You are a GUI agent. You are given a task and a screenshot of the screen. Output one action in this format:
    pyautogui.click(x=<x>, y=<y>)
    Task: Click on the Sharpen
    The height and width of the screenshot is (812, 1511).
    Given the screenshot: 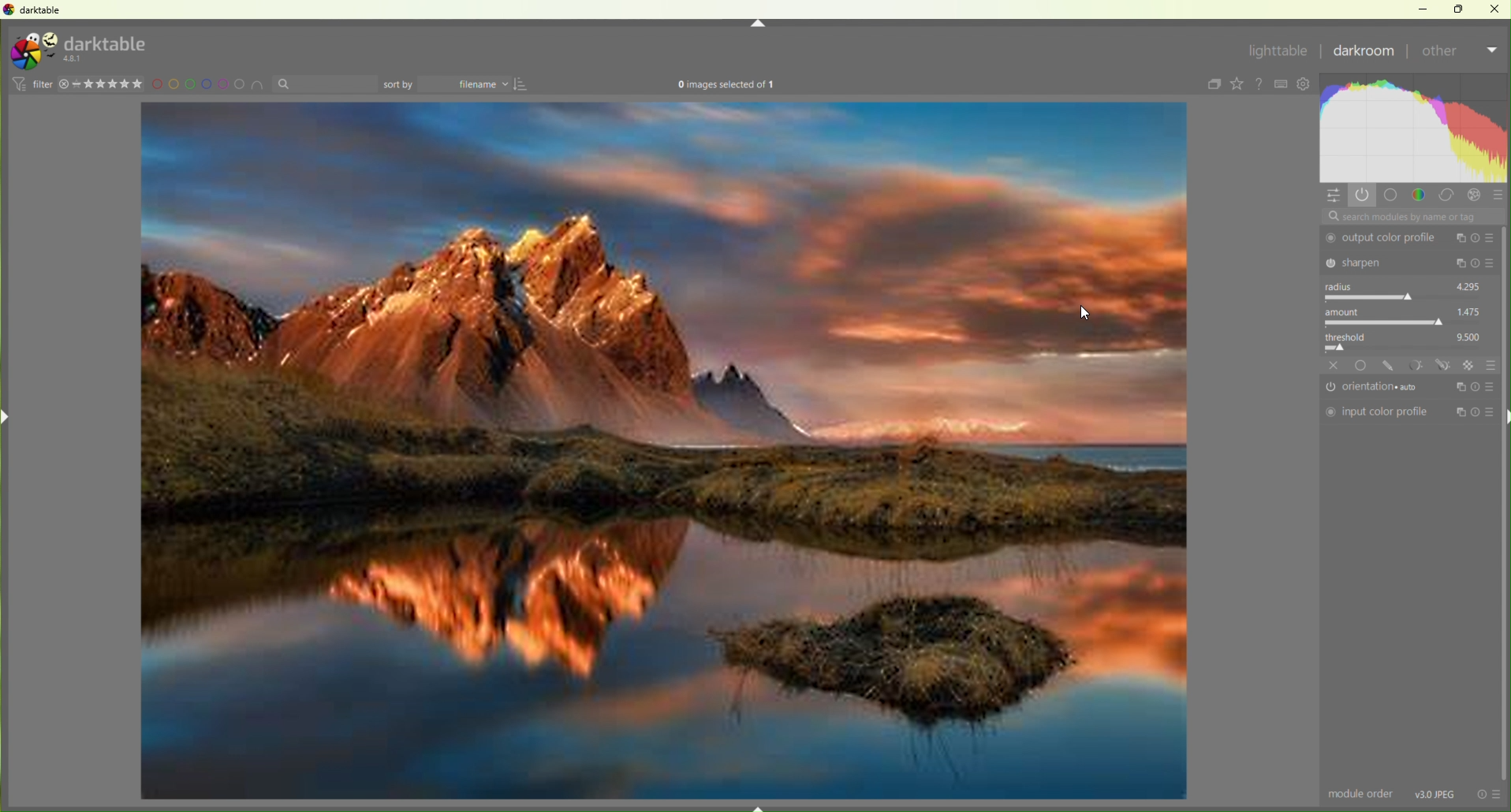 What is the action you would take?
    pyautogui.click(x=1385, y=262)
    